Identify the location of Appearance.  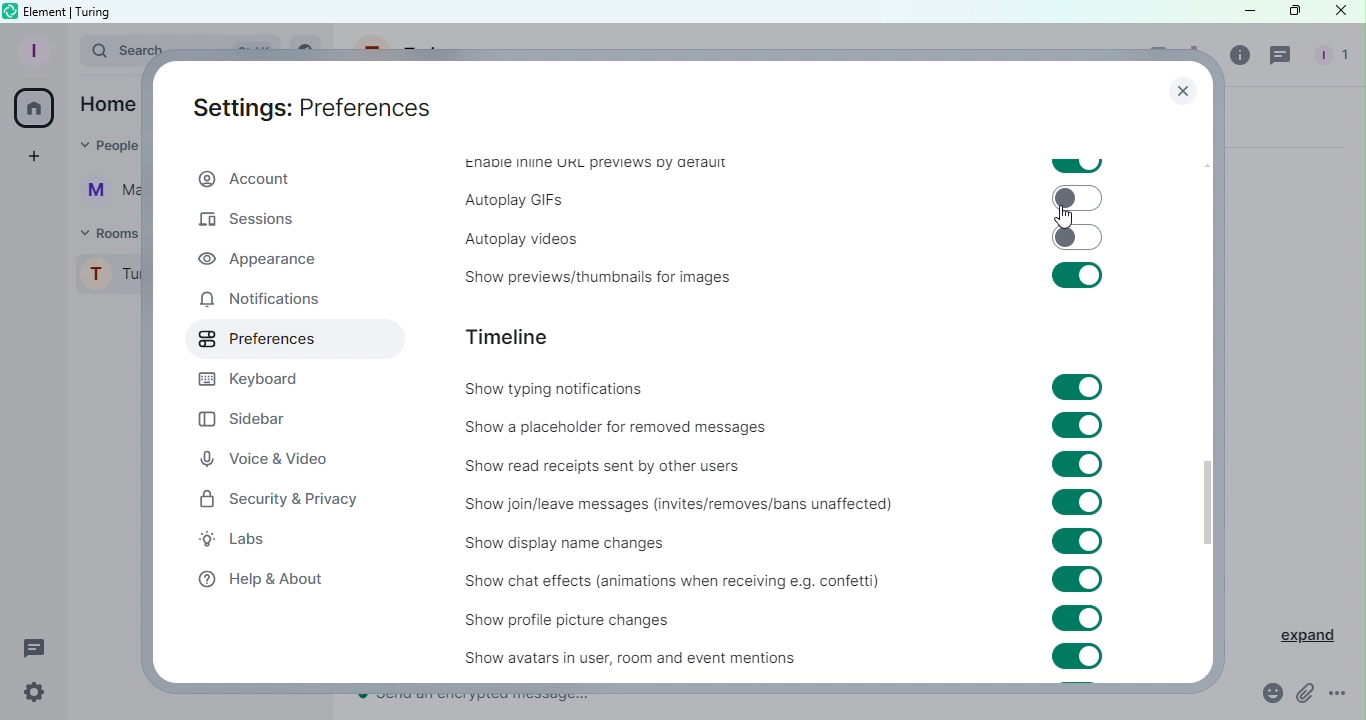
(260, 259).